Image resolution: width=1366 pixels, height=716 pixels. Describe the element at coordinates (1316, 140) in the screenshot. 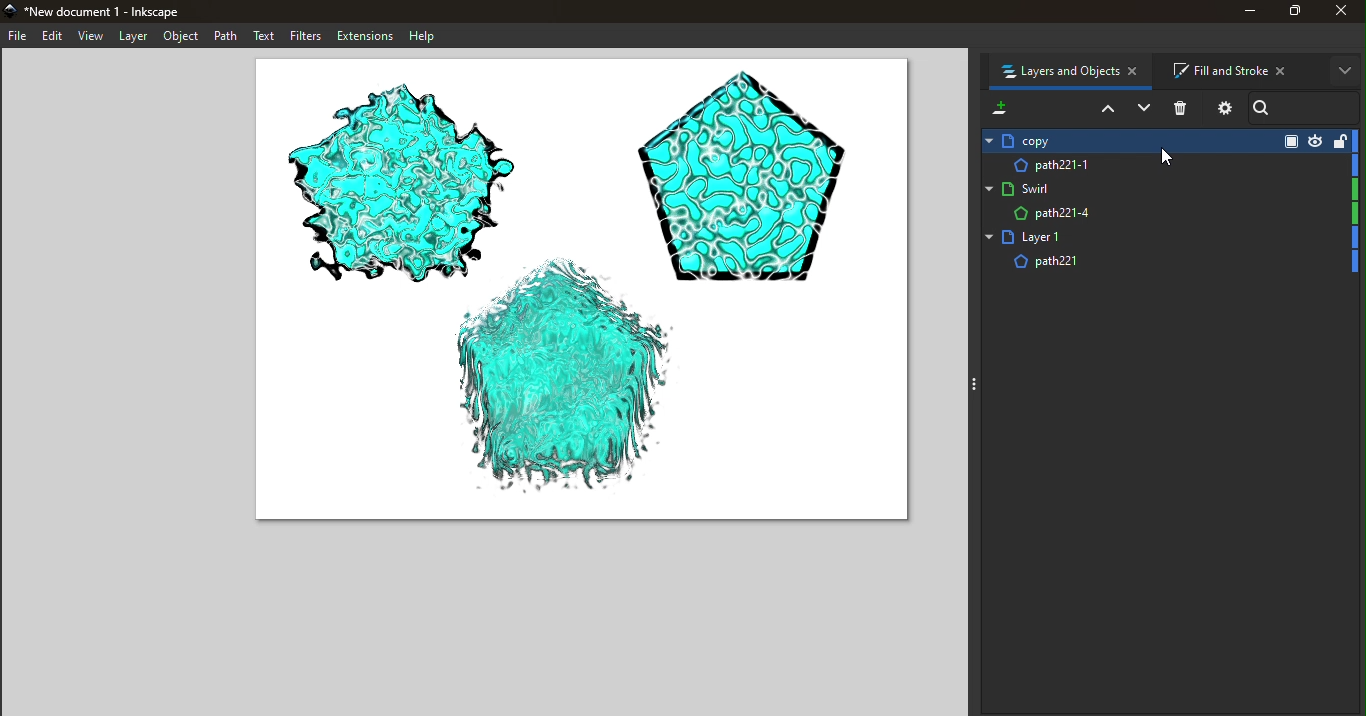

I see `Hide/Unhide Layer` at that location.